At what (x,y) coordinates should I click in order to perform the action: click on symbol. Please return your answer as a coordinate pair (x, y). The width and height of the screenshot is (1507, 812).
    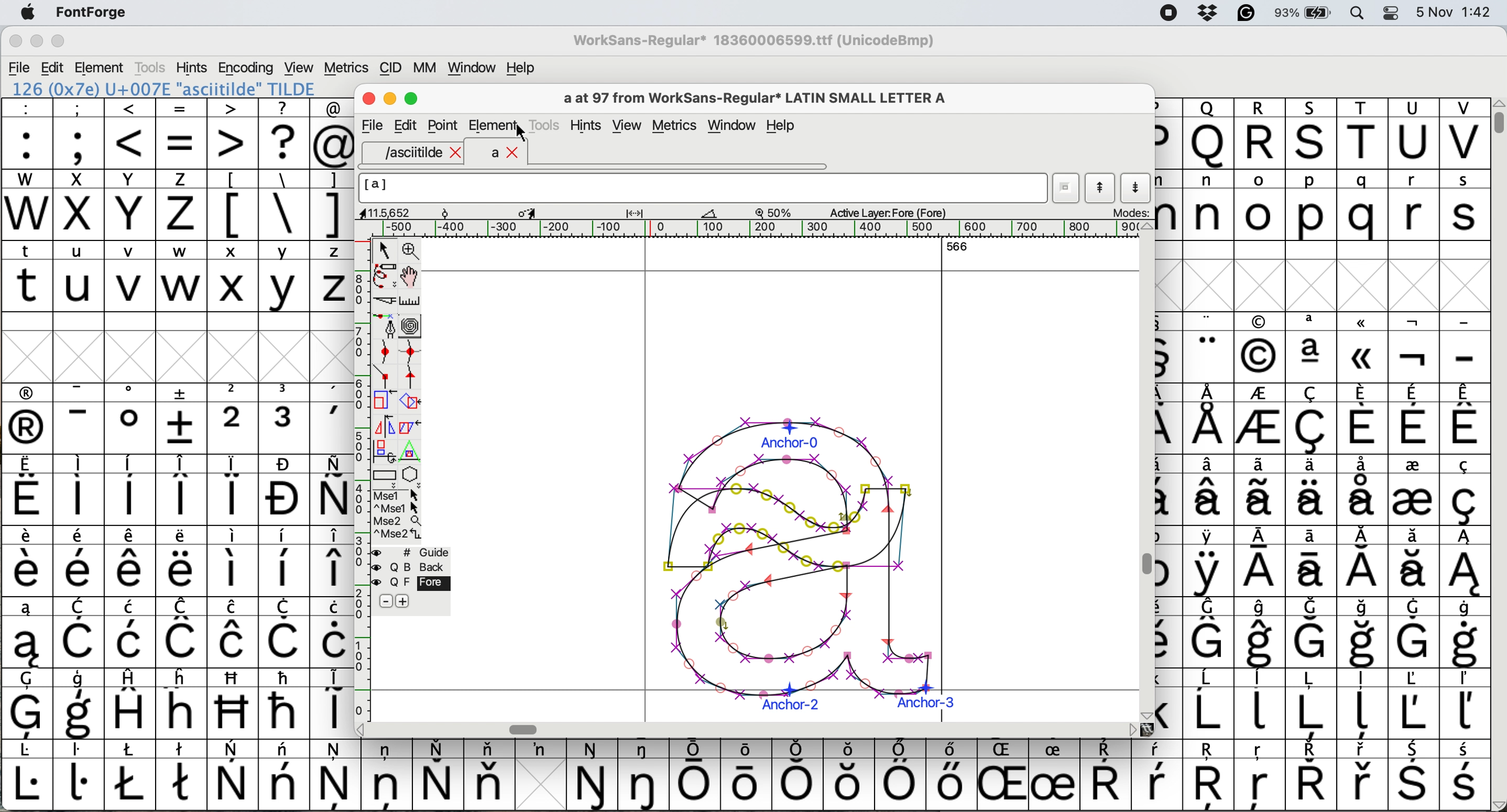
    Looking at the image, I should click on (233, 560).